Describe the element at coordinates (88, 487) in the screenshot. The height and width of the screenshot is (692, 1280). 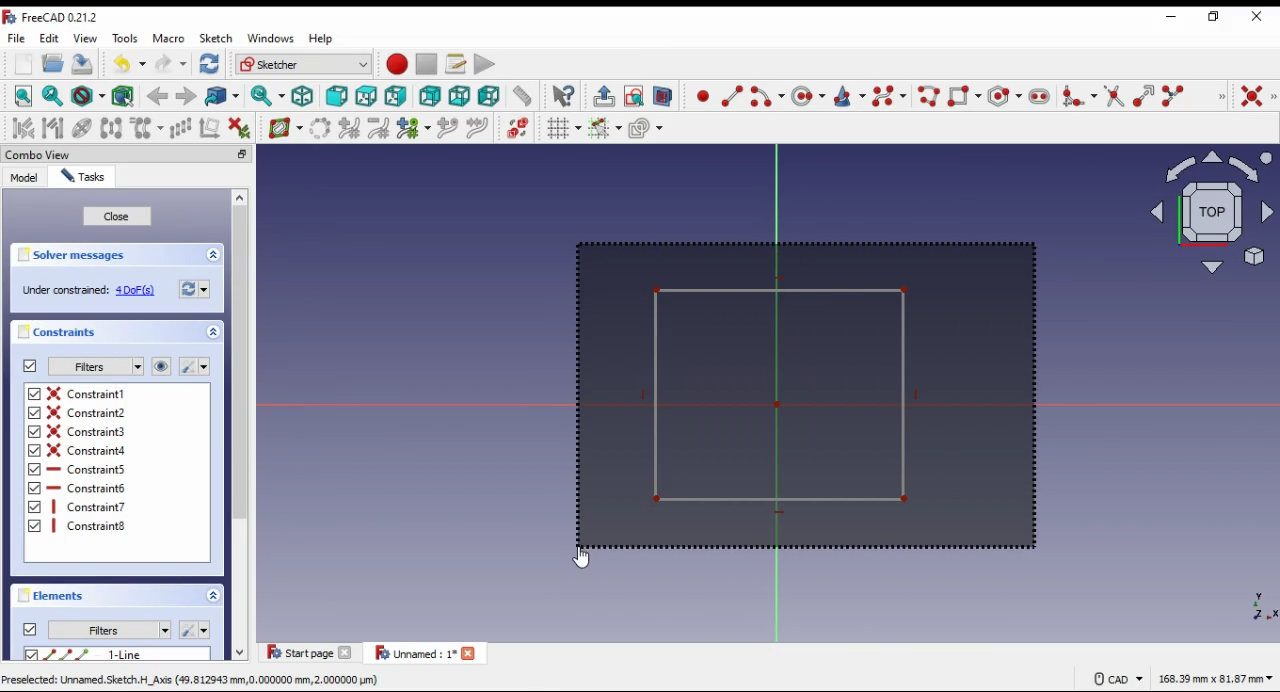
I see `on/off constraint 6` at that location.